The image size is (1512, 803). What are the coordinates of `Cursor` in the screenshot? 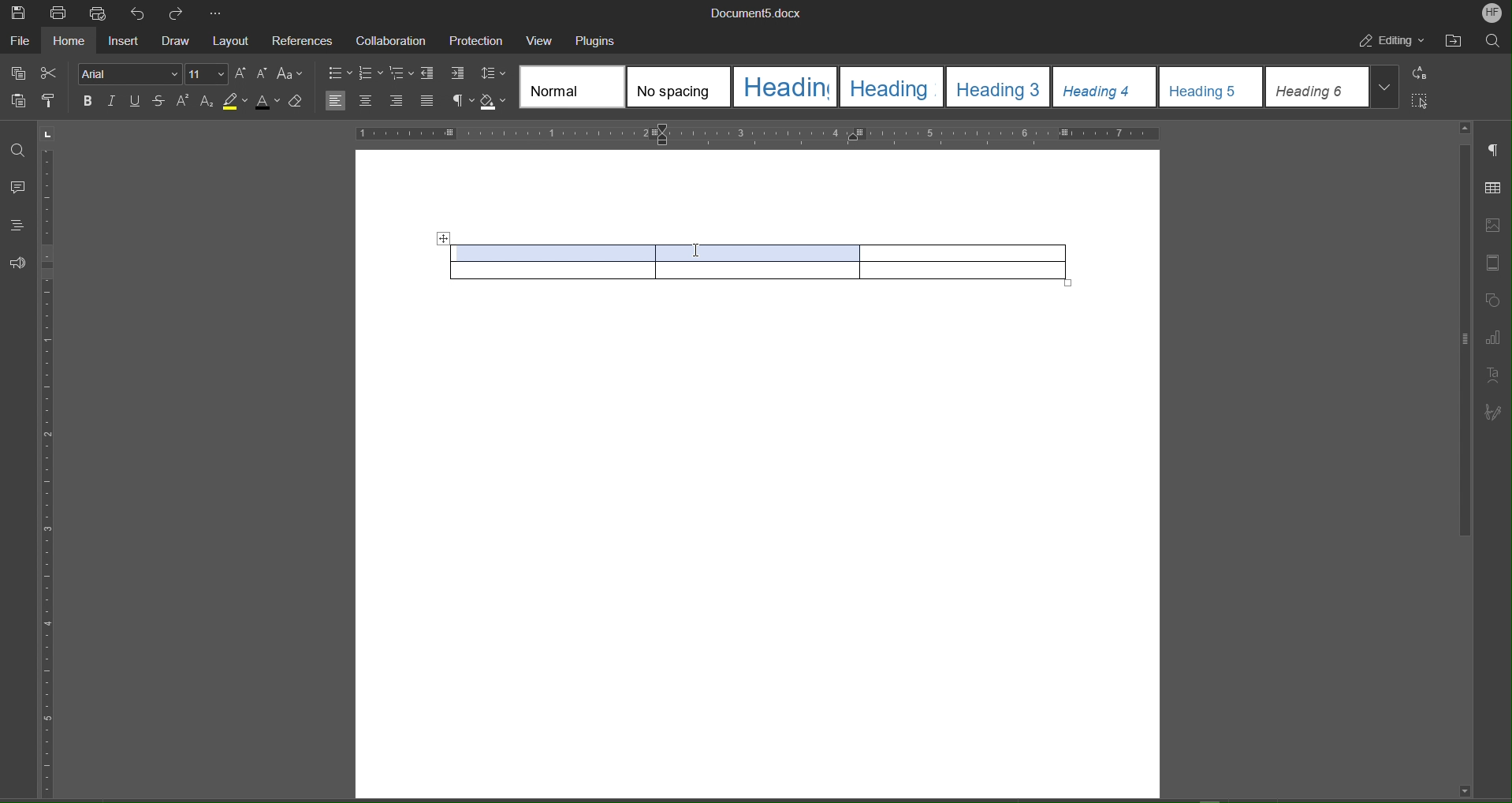 It's located at (698, 250).